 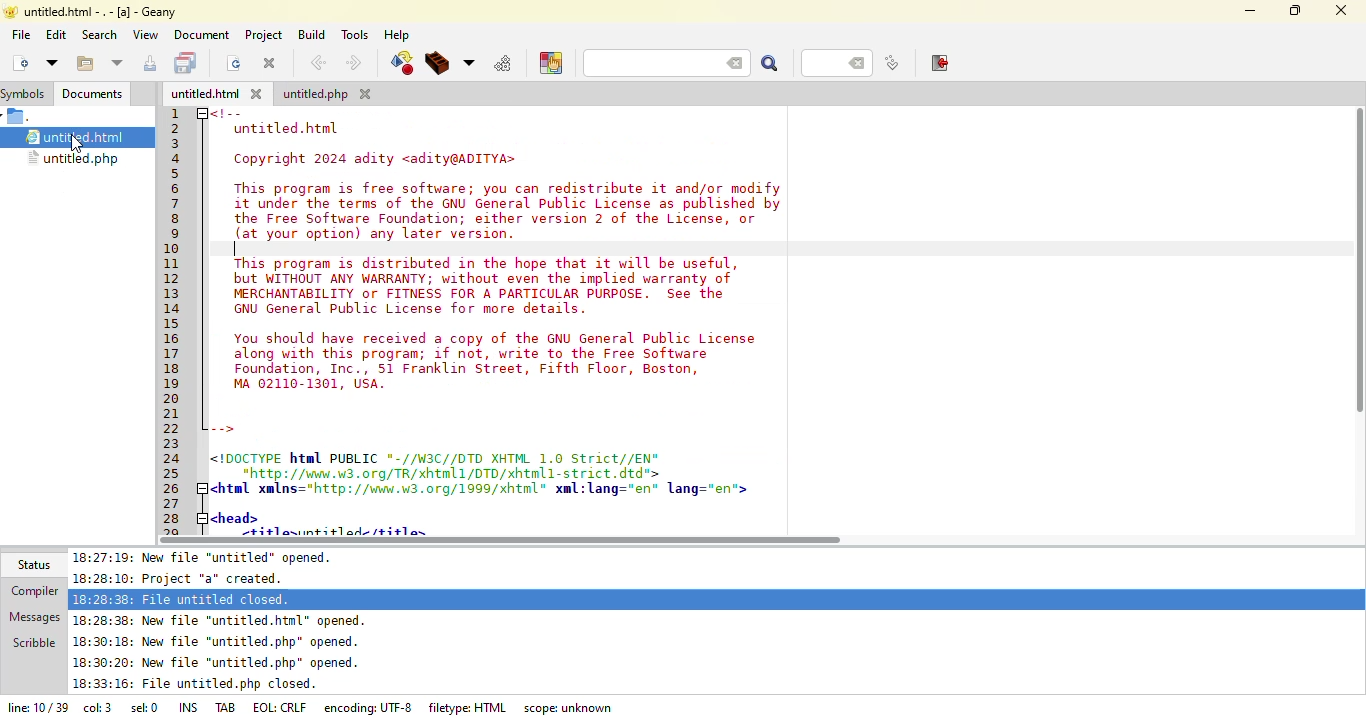 What do you see at coordinates (469, 707) in the screenshot?
I see `filetype: html` at bounding box center [469, 707].